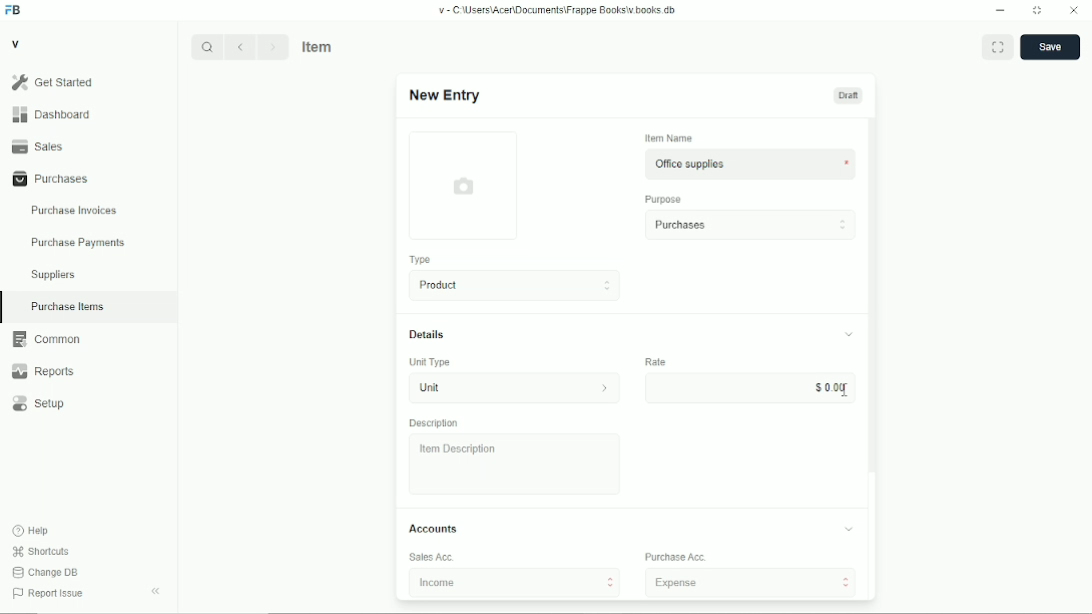 The height and width of the screenshot is (614, 1092). Describe the element at coordinates (844, 390) in the screenshot. I see `cursor` at that location.